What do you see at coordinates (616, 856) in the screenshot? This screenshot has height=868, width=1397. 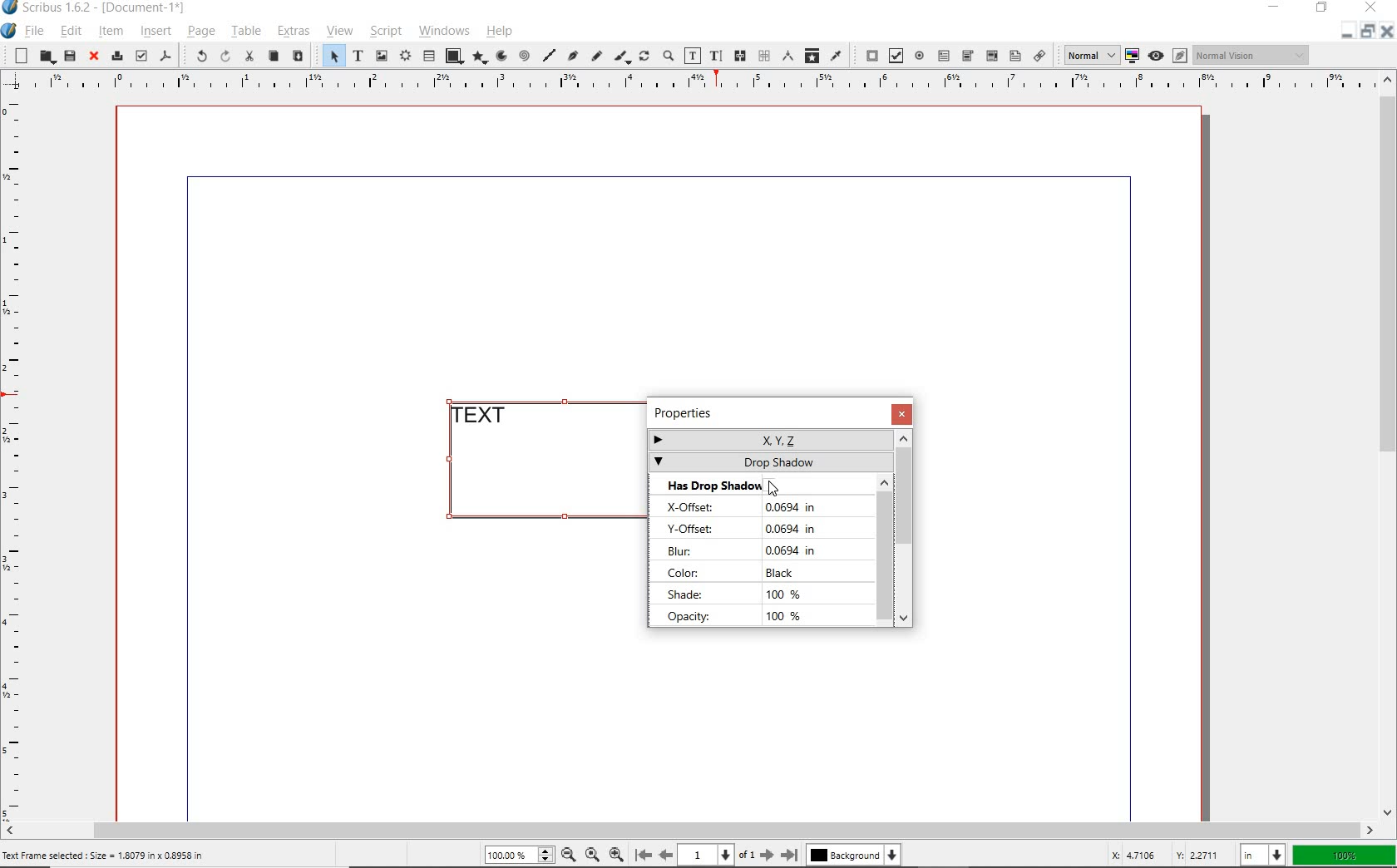 I see `Zoom In` at bounding box center [616, 856].